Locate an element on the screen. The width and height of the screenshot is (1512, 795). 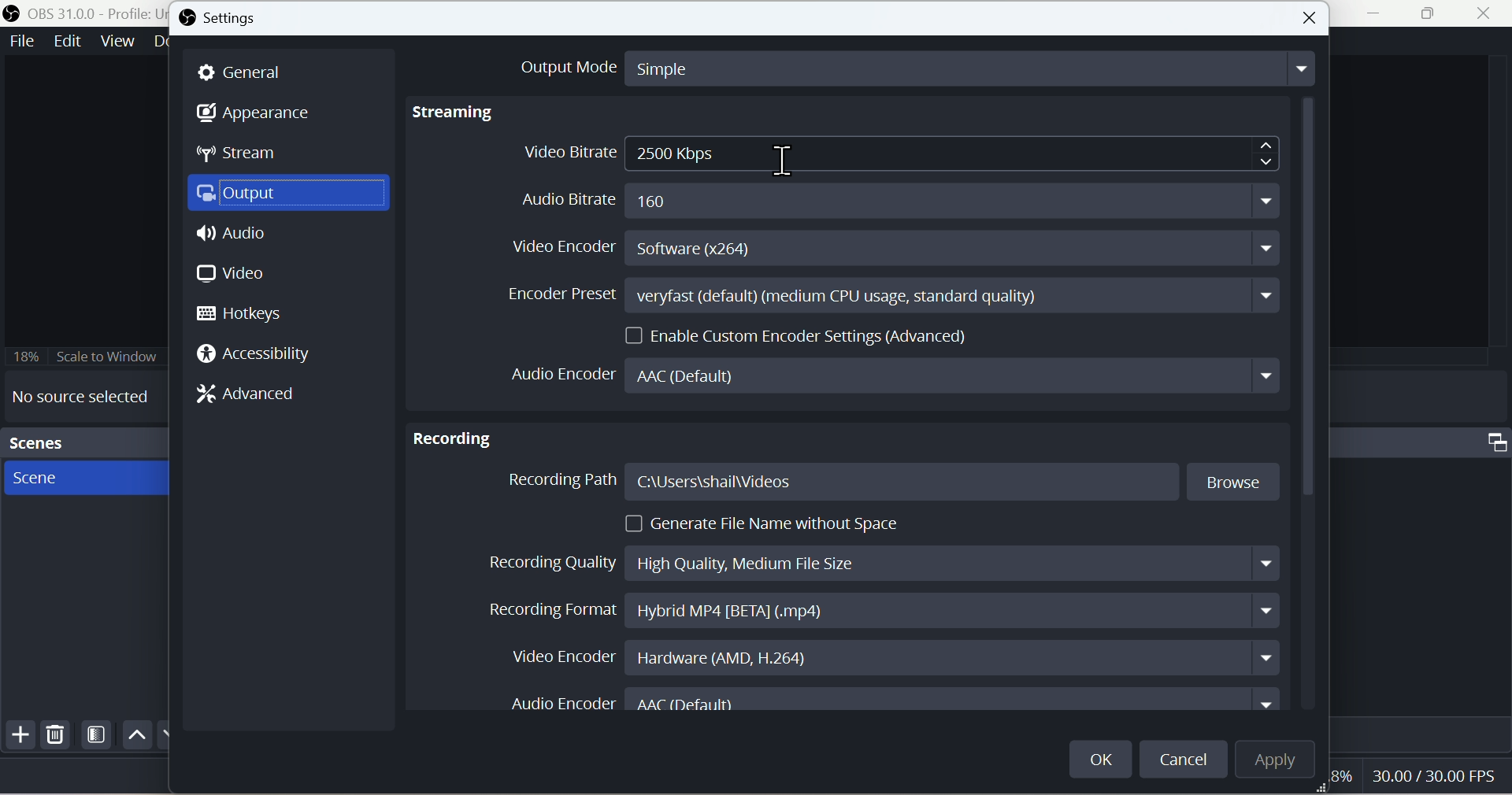
Streaming is located at coordinates (458, 113).